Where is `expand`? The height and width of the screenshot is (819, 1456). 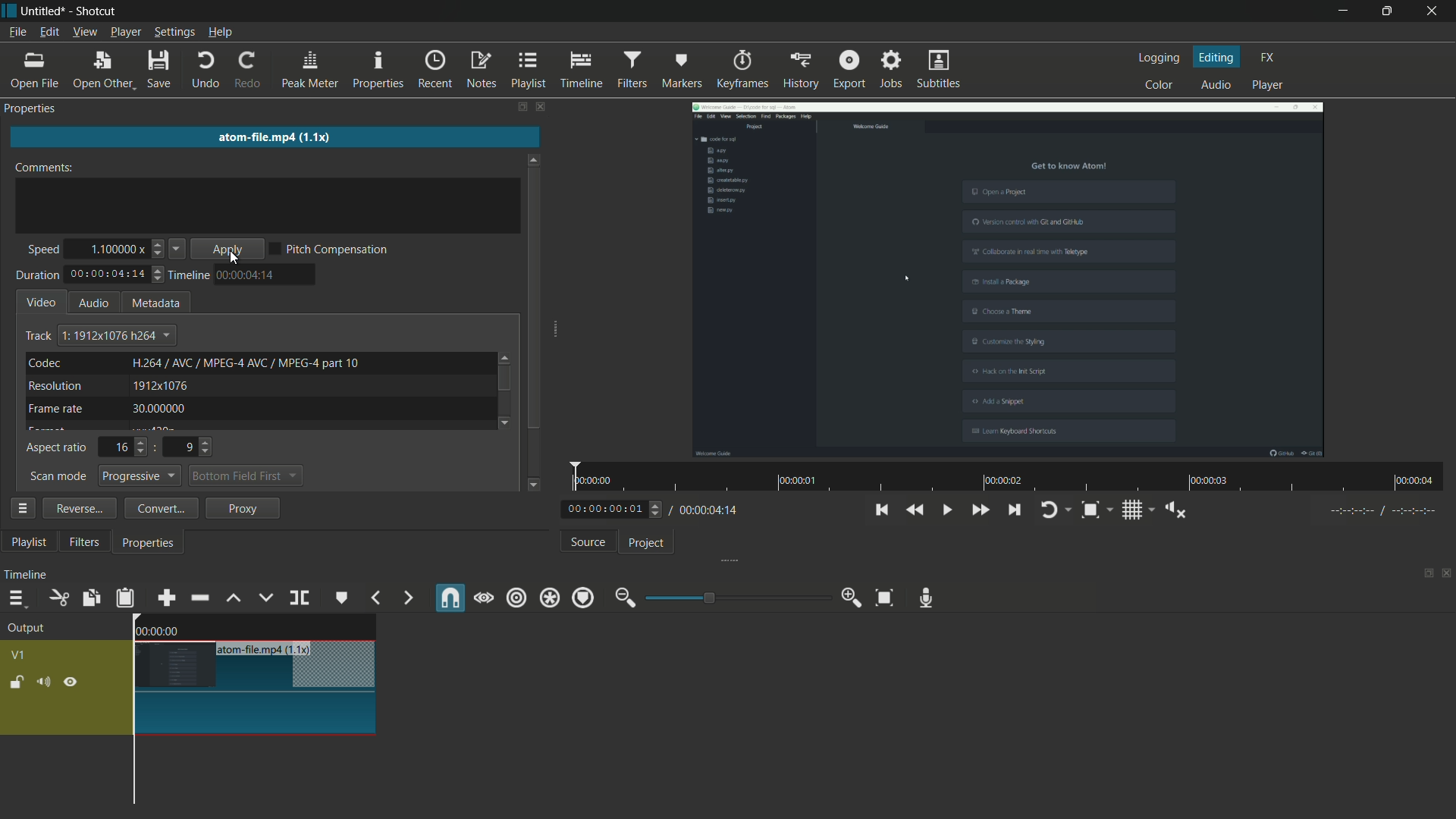
expand is located at coordinates (724, 562).